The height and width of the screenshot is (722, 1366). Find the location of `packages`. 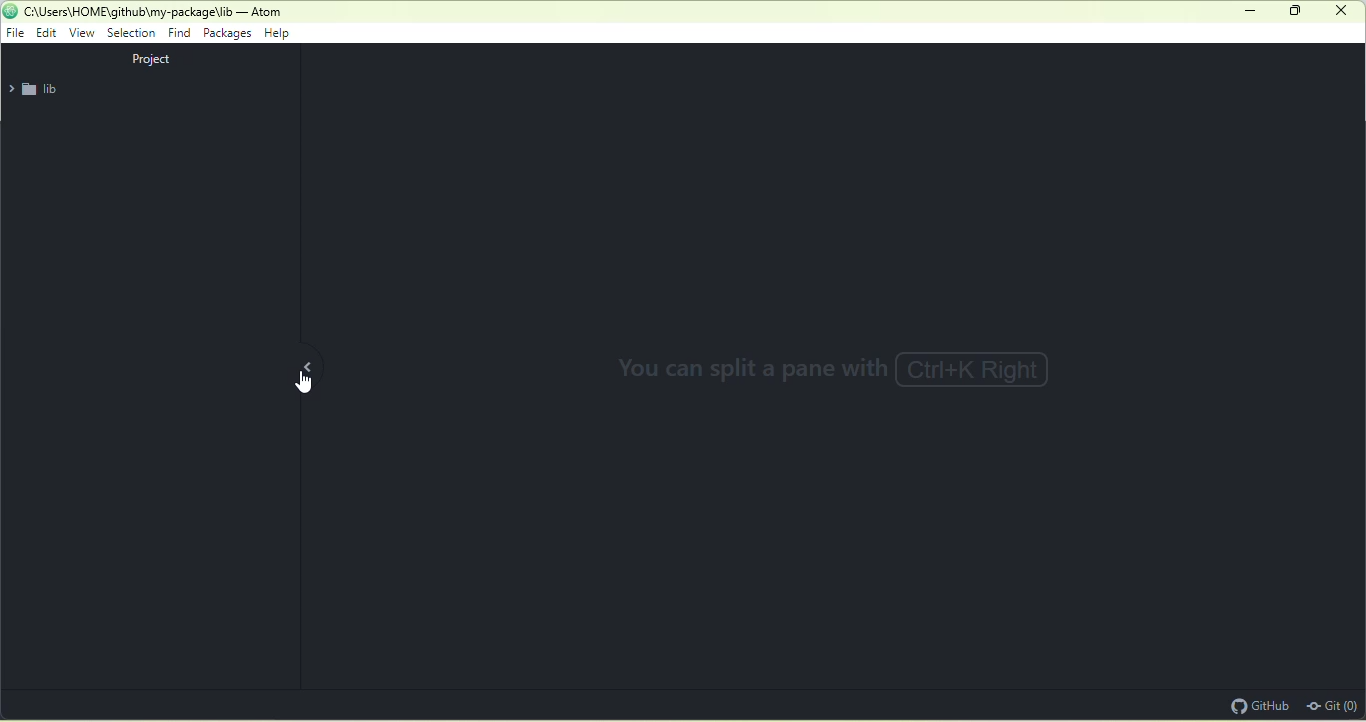

packages is located at coordinates (228, 35).